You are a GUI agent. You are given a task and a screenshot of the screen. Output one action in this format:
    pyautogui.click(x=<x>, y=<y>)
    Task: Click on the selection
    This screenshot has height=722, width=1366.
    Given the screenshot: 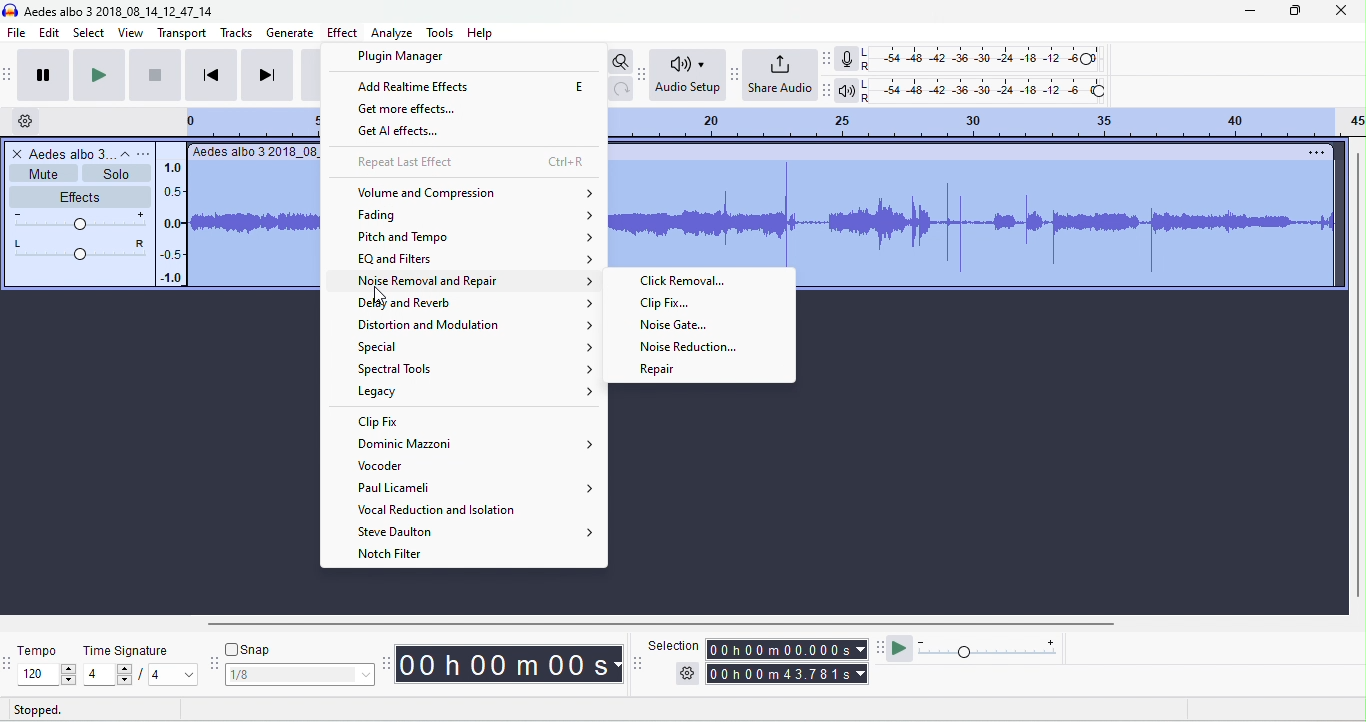 What is the action you would take?
    pyautogui.click(x=673, y=644)
    